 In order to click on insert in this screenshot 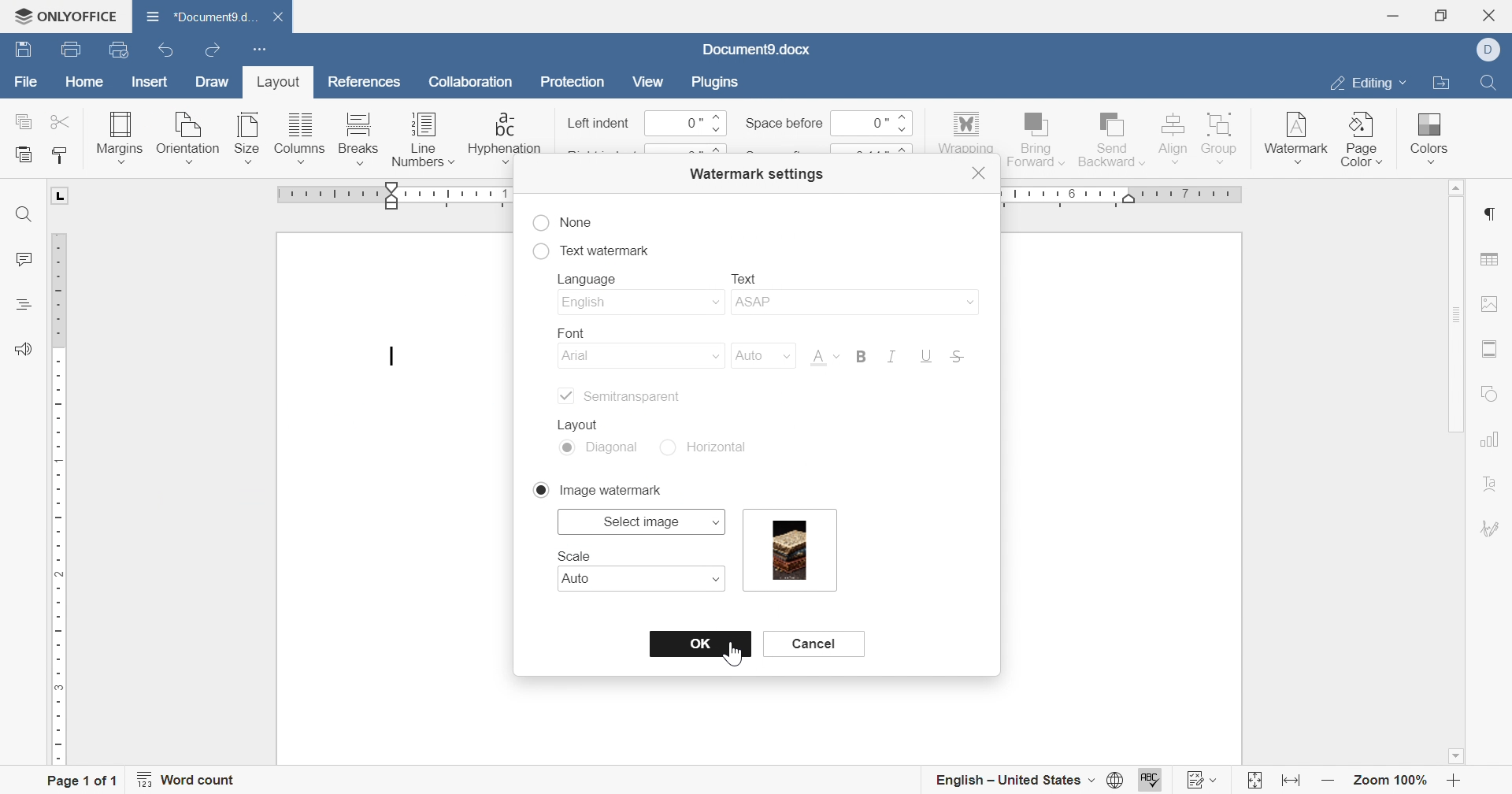, I will do `click(146, 83)`.